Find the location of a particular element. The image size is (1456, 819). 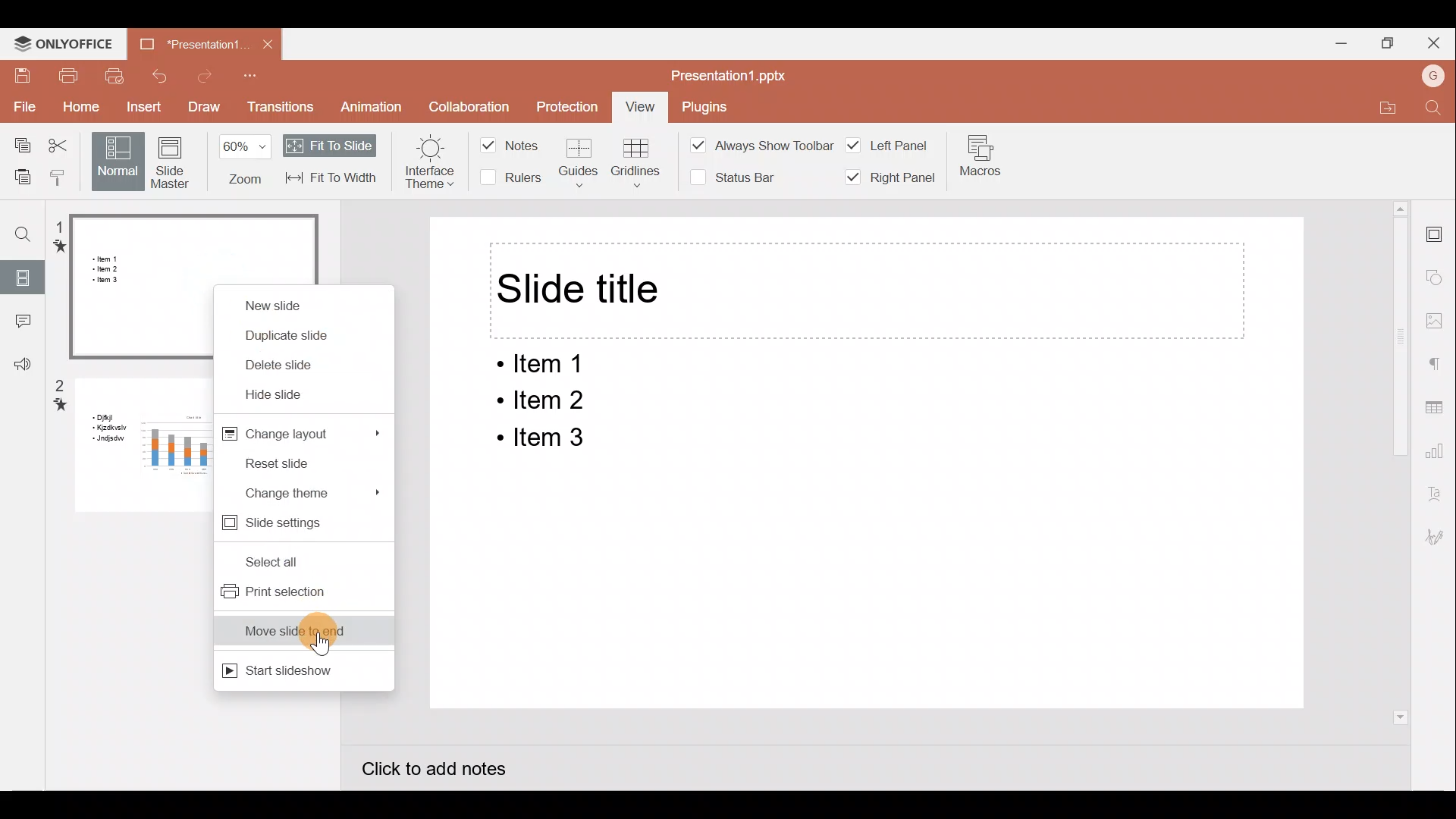

Feedback & support is located at coordinates (22, 366).